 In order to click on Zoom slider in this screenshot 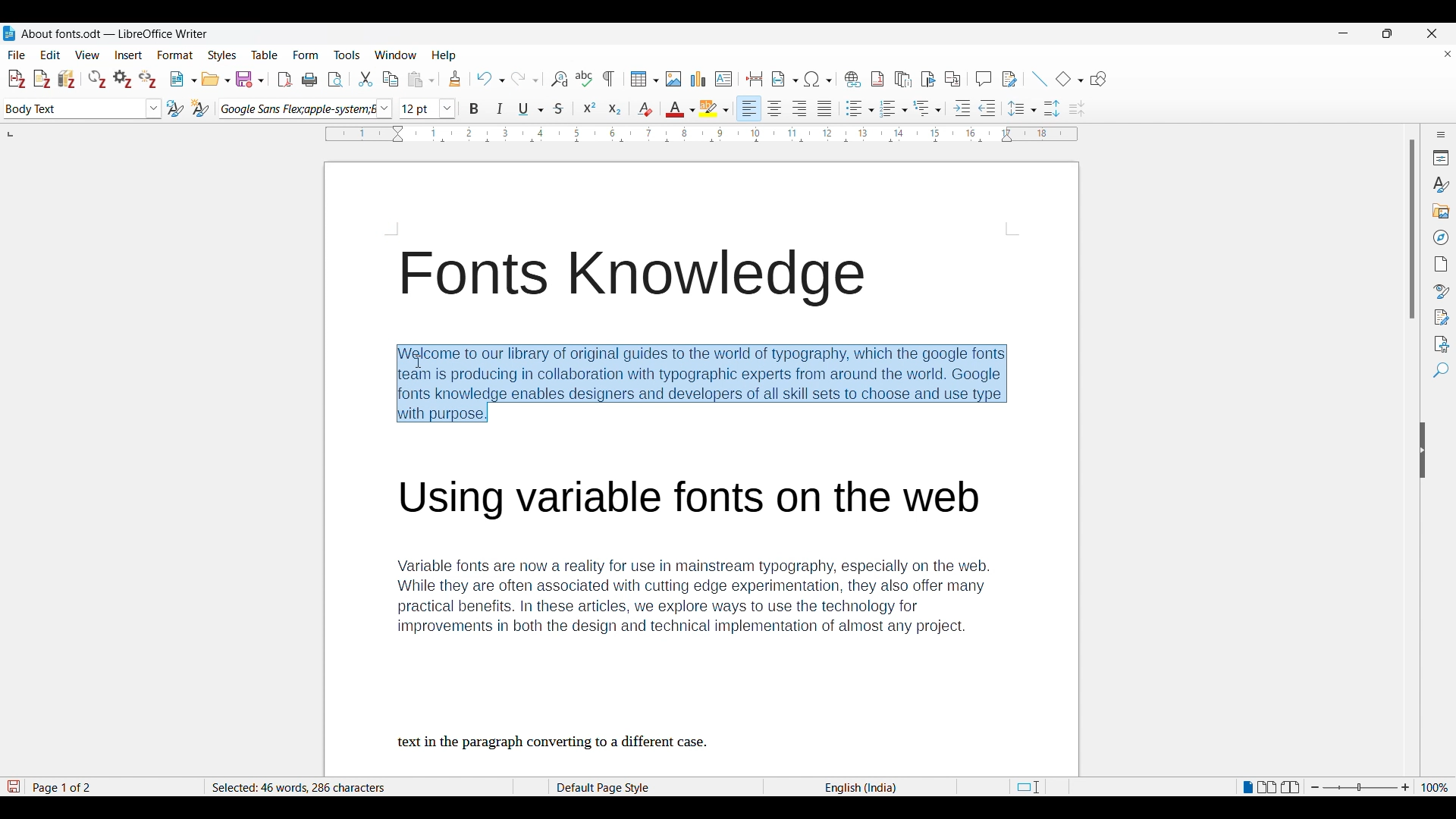, I will do `click(1360, 787)`.